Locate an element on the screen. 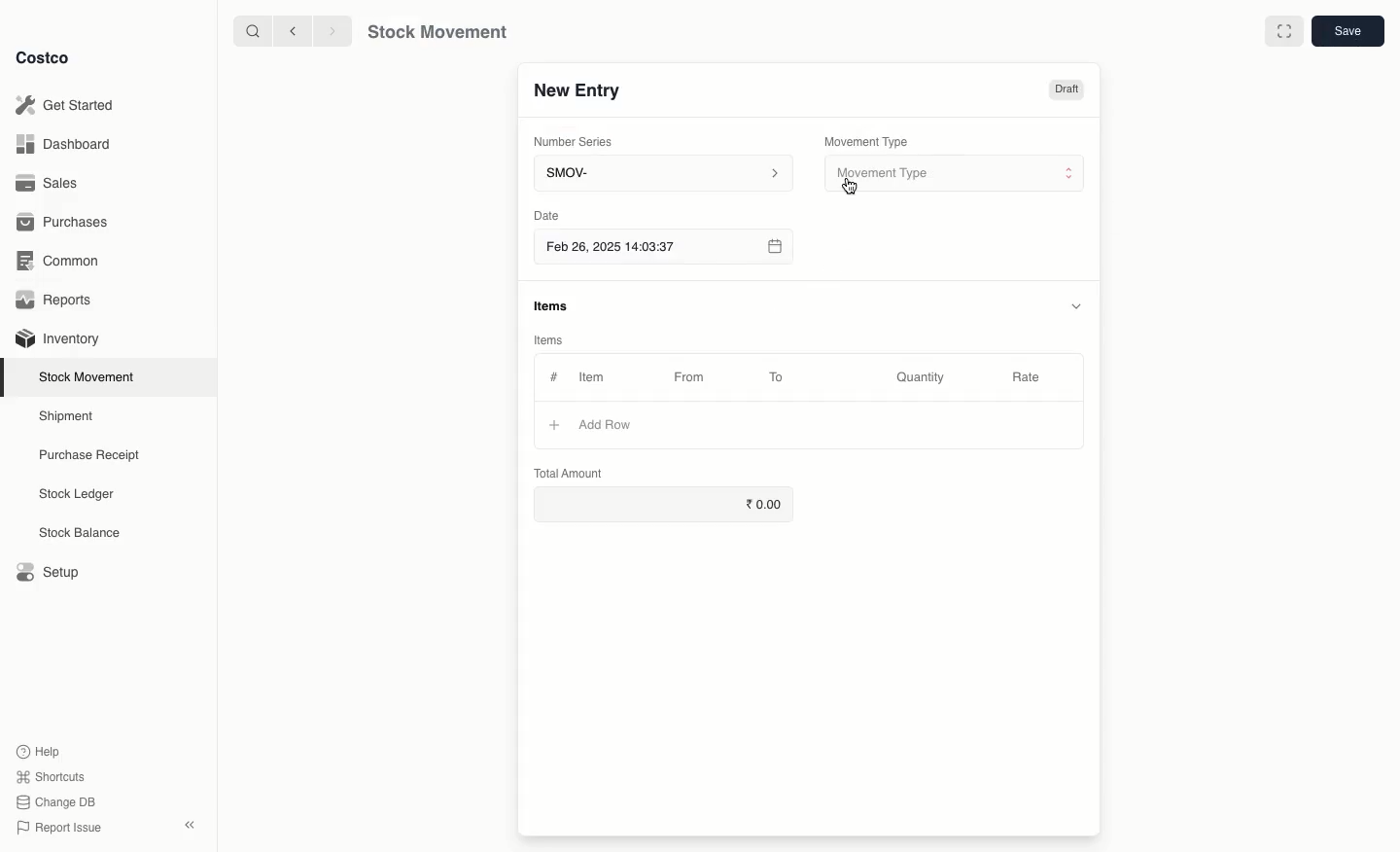 Image resolution: width=1400 pixels, height=852 pixels. Quantity is located at coordinates (924, 378).